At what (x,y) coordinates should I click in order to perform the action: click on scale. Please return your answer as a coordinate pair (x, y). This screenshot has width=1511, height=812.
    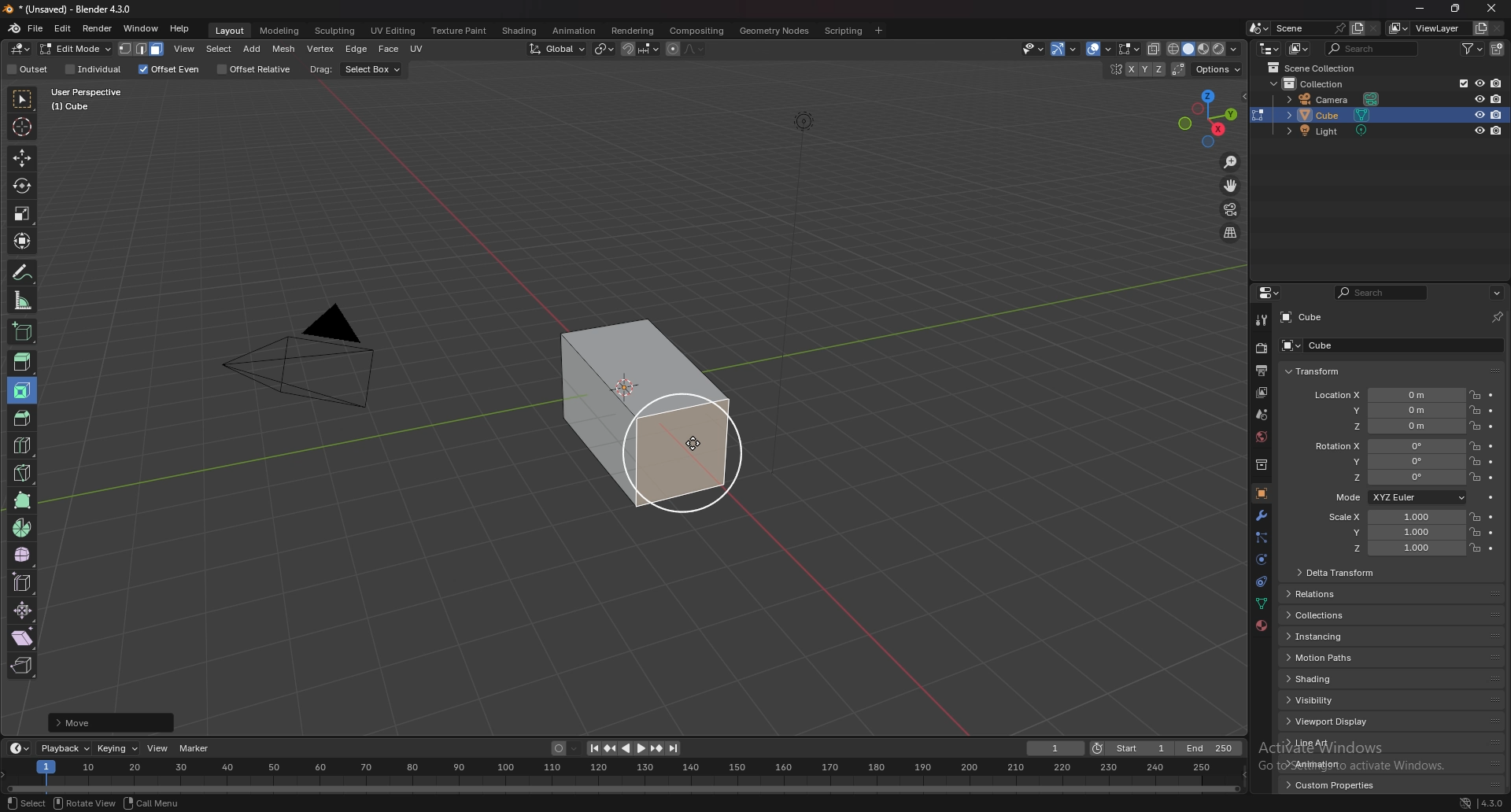
    Looking at the image, I should click on (22, 213).